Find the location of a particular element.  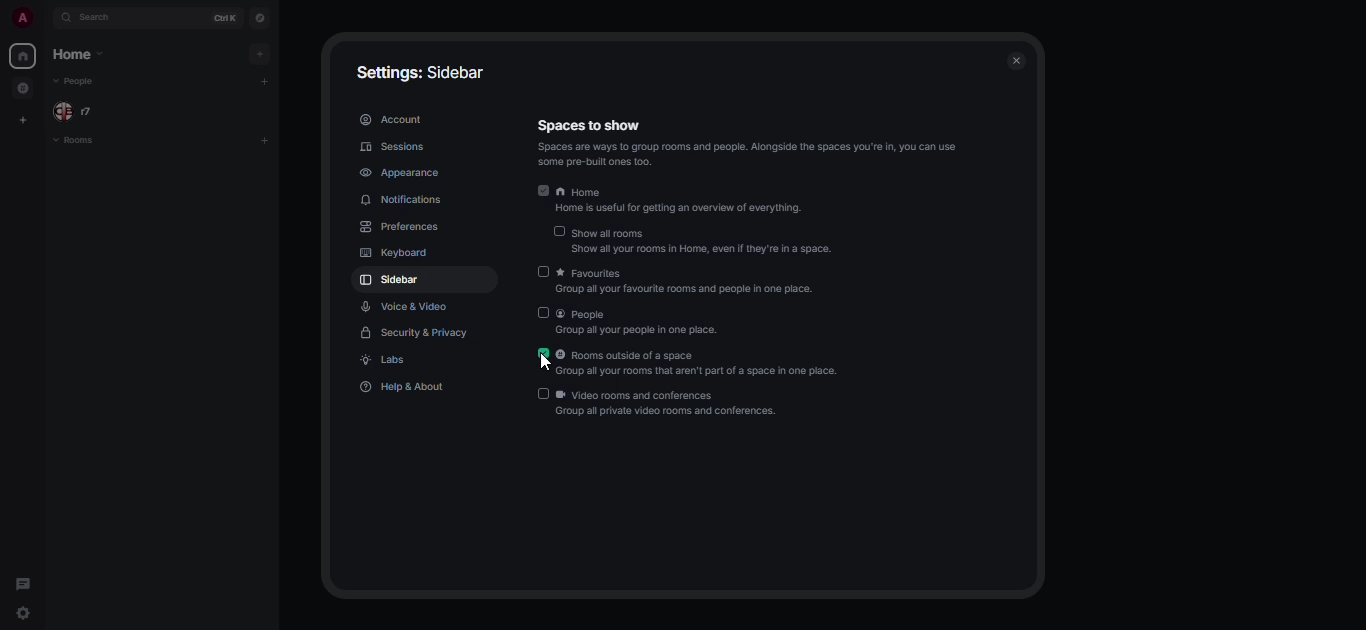

enabled is located at coordinates (544, 354).